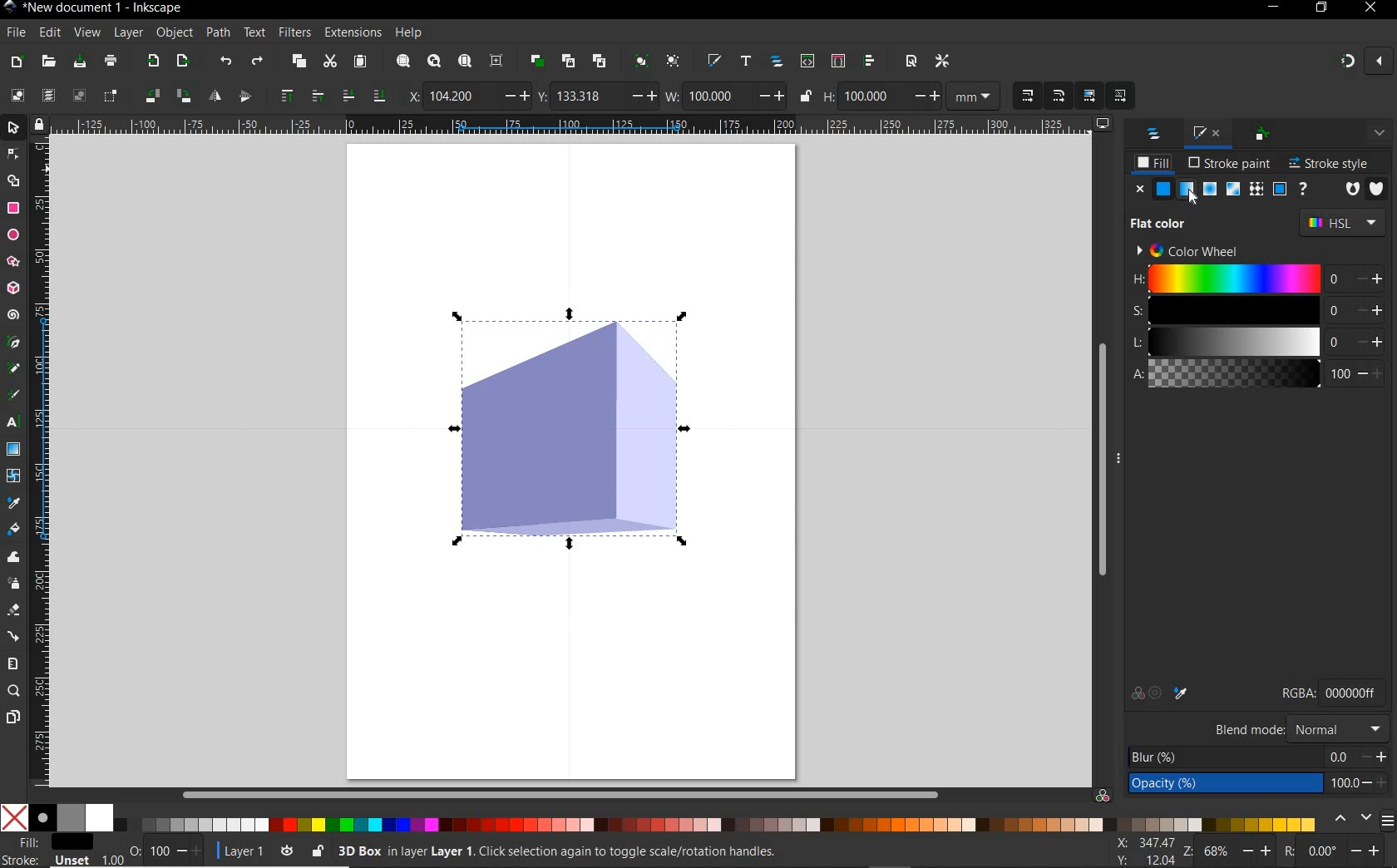 This screenshot has width=1397, height=868. I want to click on increase/decrease buttons, so click(1373, 327).